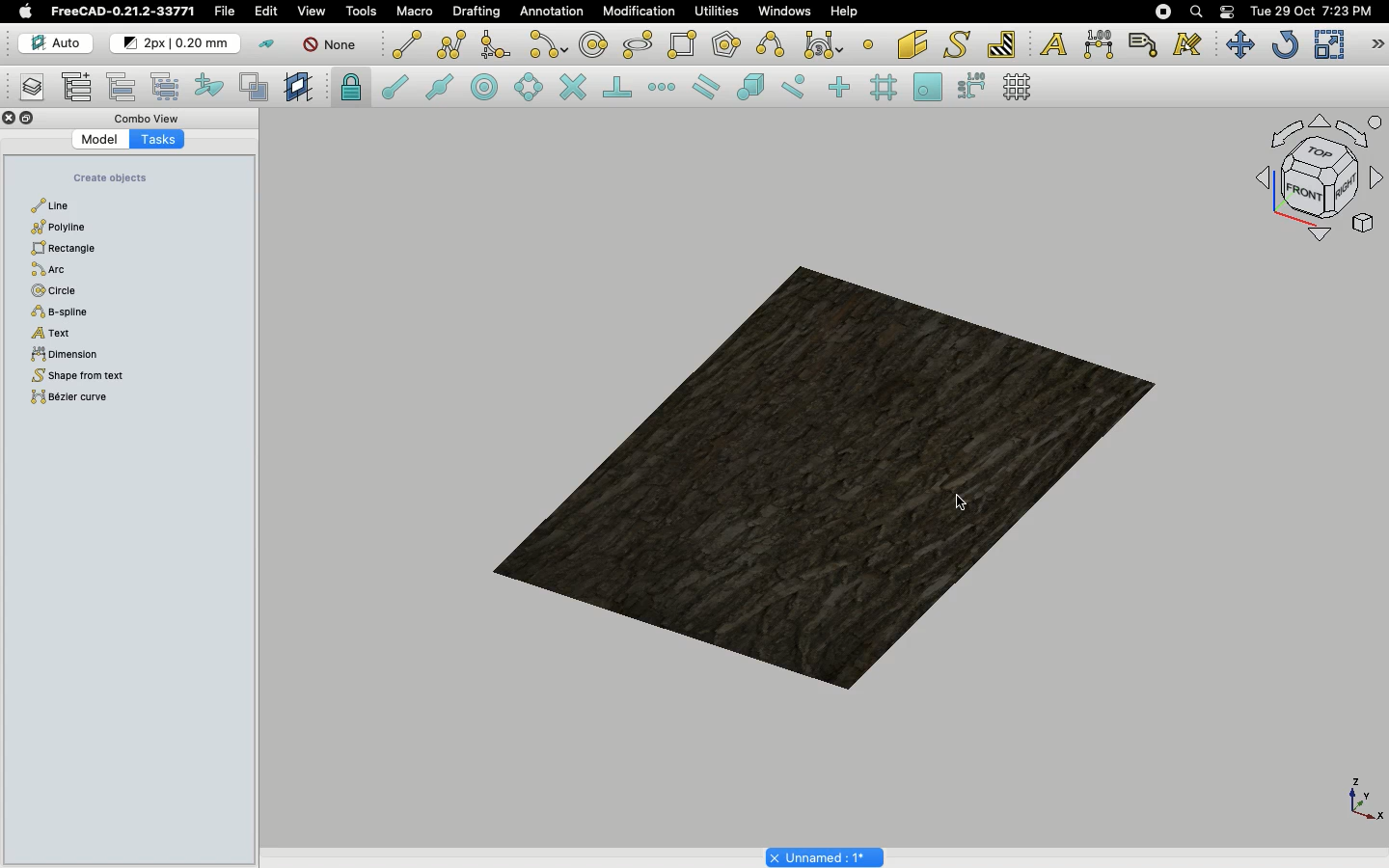 The image size is (1389, 868). Describe the element at coordinates (724, 45) in the screenshot. I see `Polygon` at that location.